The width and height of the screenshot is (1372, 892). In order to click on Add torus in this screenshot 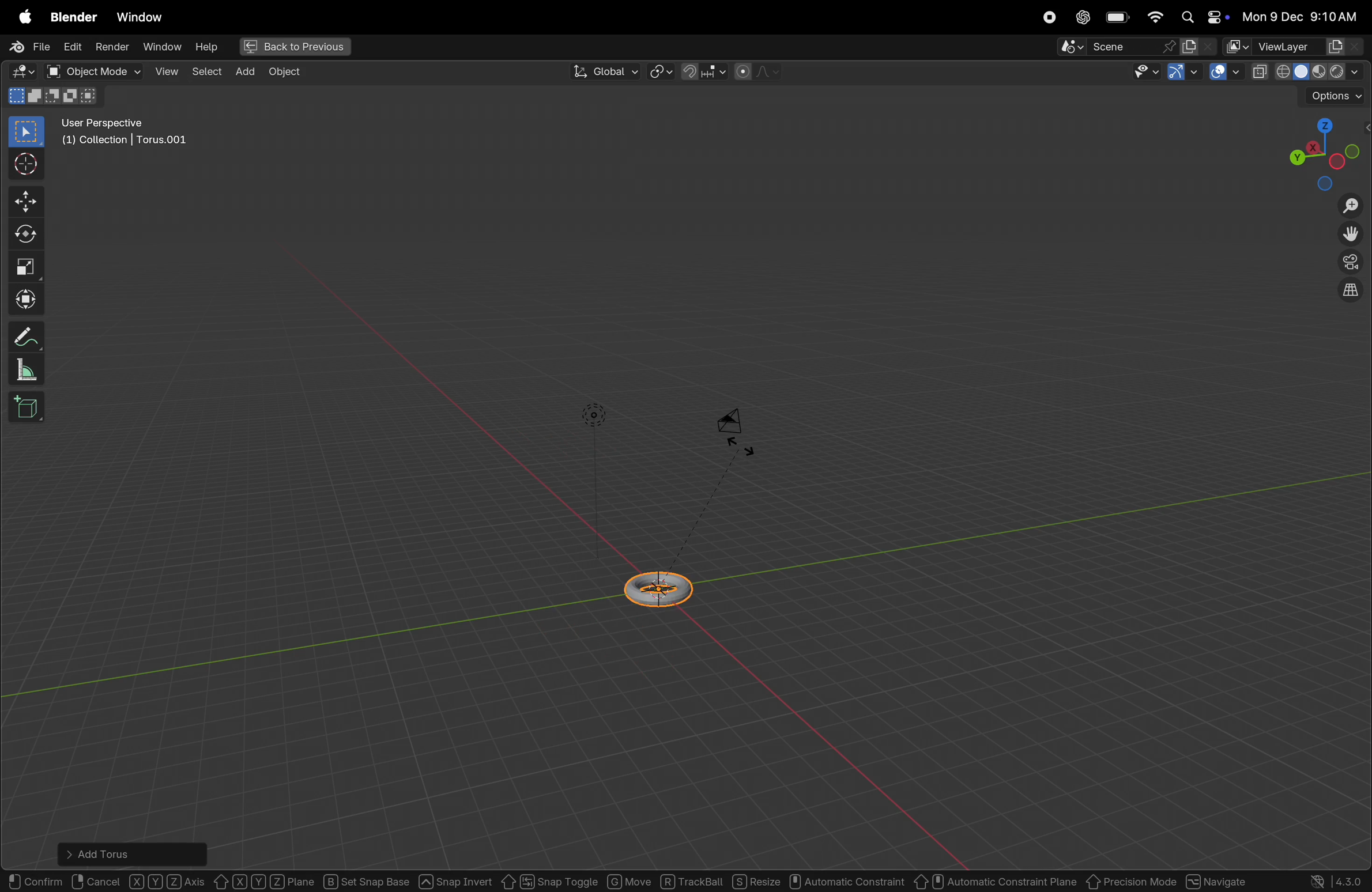, I will do `click(110, 851)`.